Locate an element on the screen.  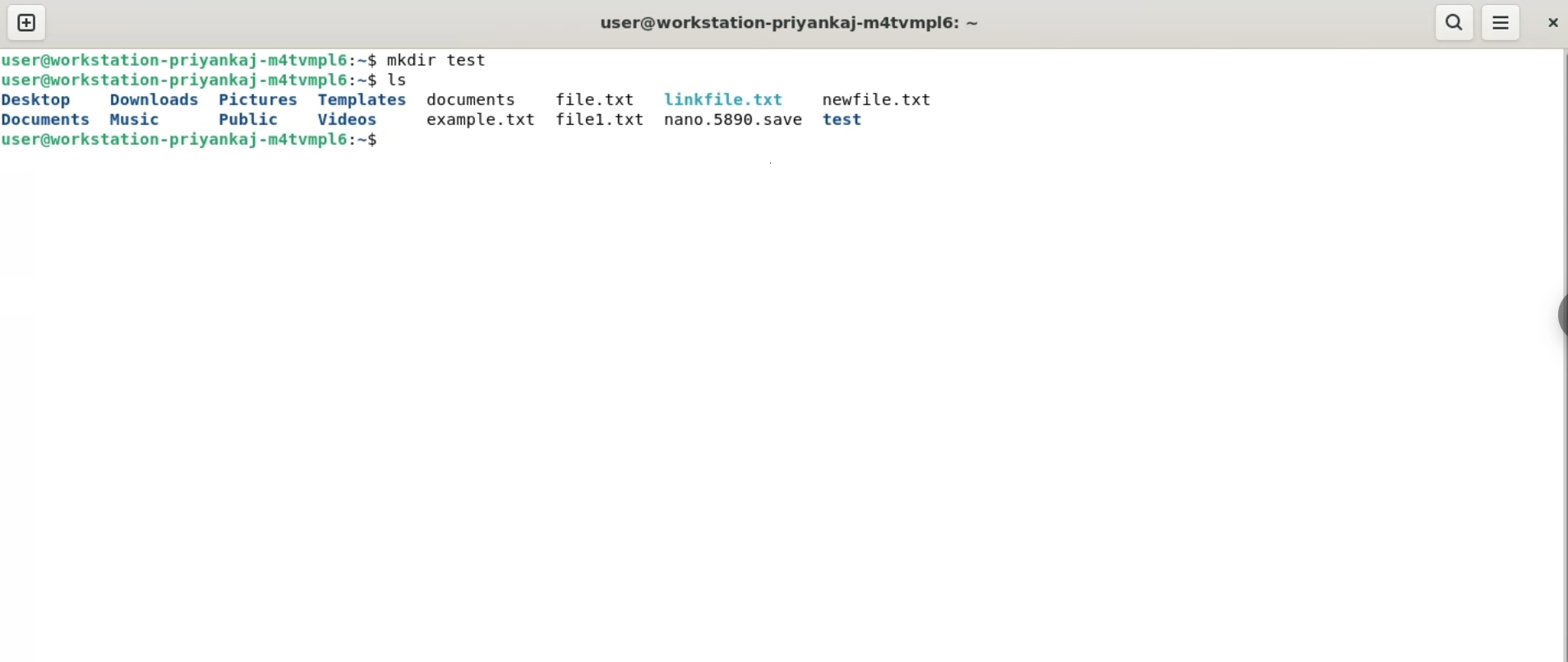
downloads is located at coordinates (153, 101).